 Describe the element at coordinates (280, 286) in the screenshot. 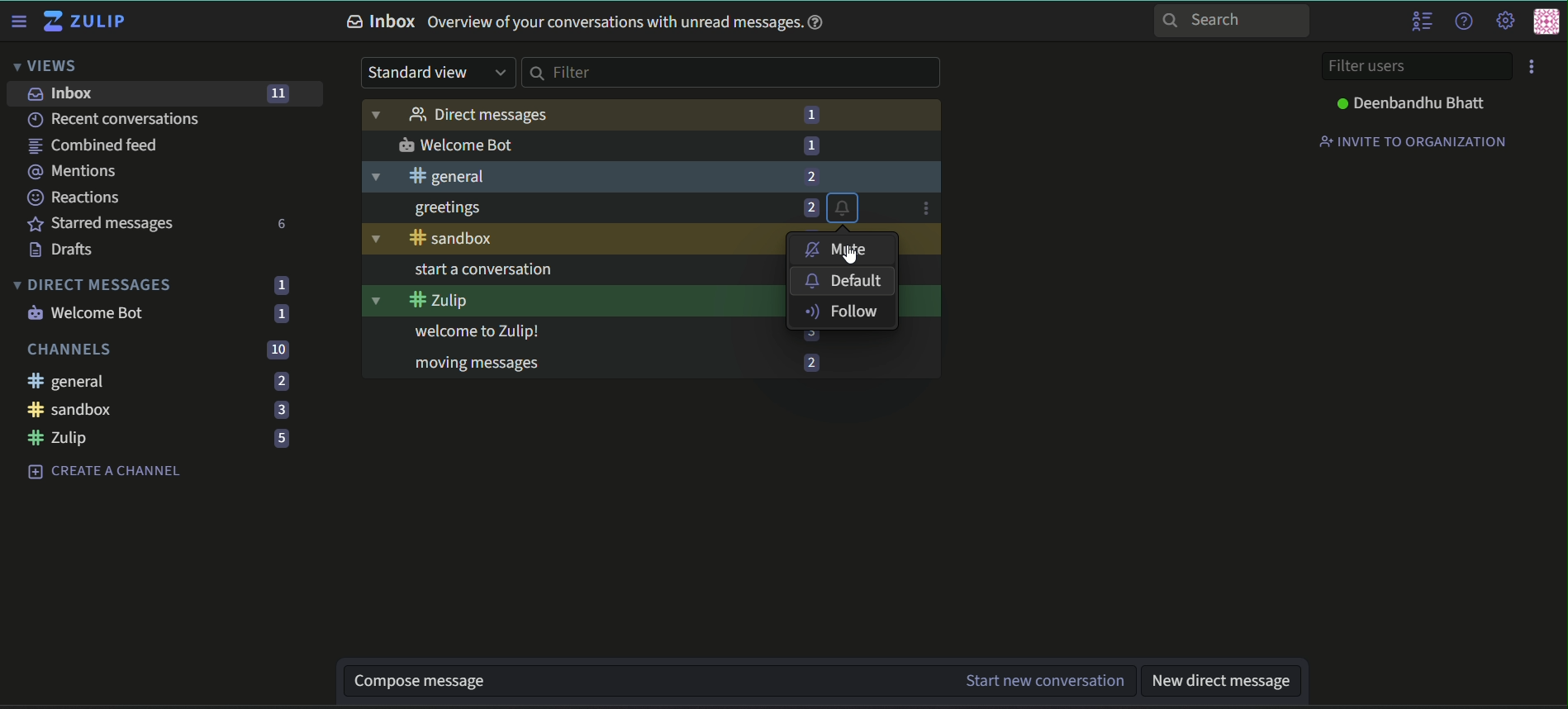

I see `numbers` at that location.